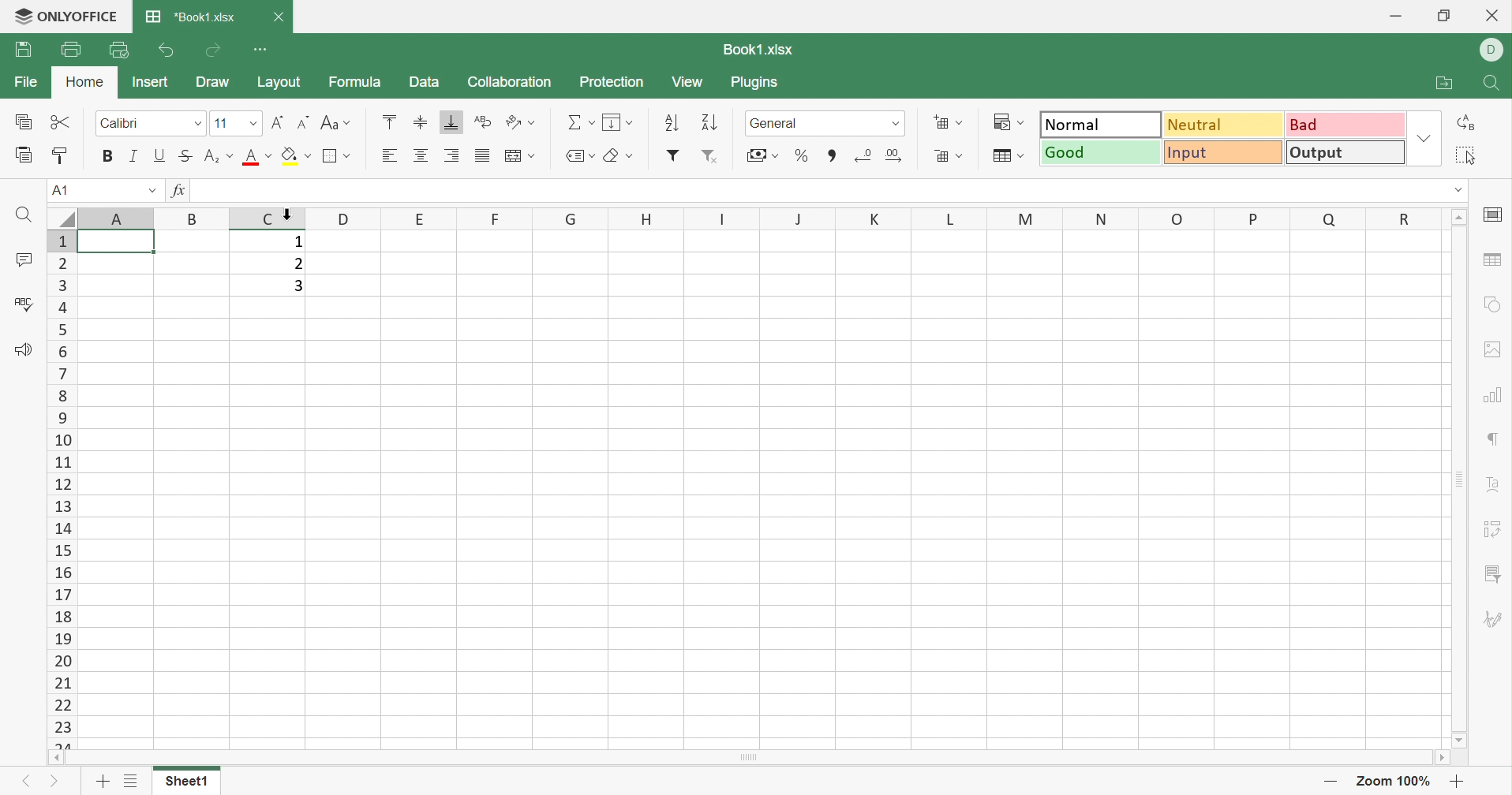 Image resolution: width=1512 pixels, height=795 pixels. Describe the element at coordinates (1462, 481) in the screenshot. I see `Scroll Bar` at that location.